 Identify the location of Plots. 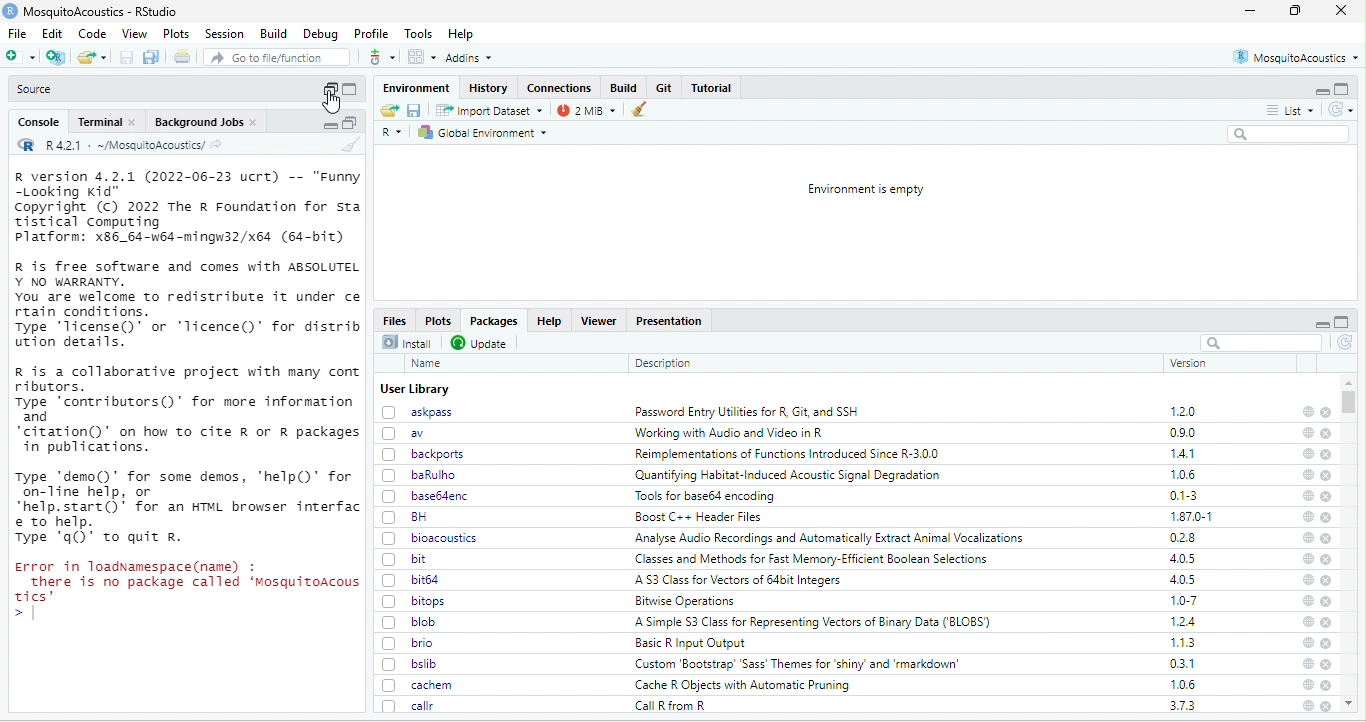
(176, 33).